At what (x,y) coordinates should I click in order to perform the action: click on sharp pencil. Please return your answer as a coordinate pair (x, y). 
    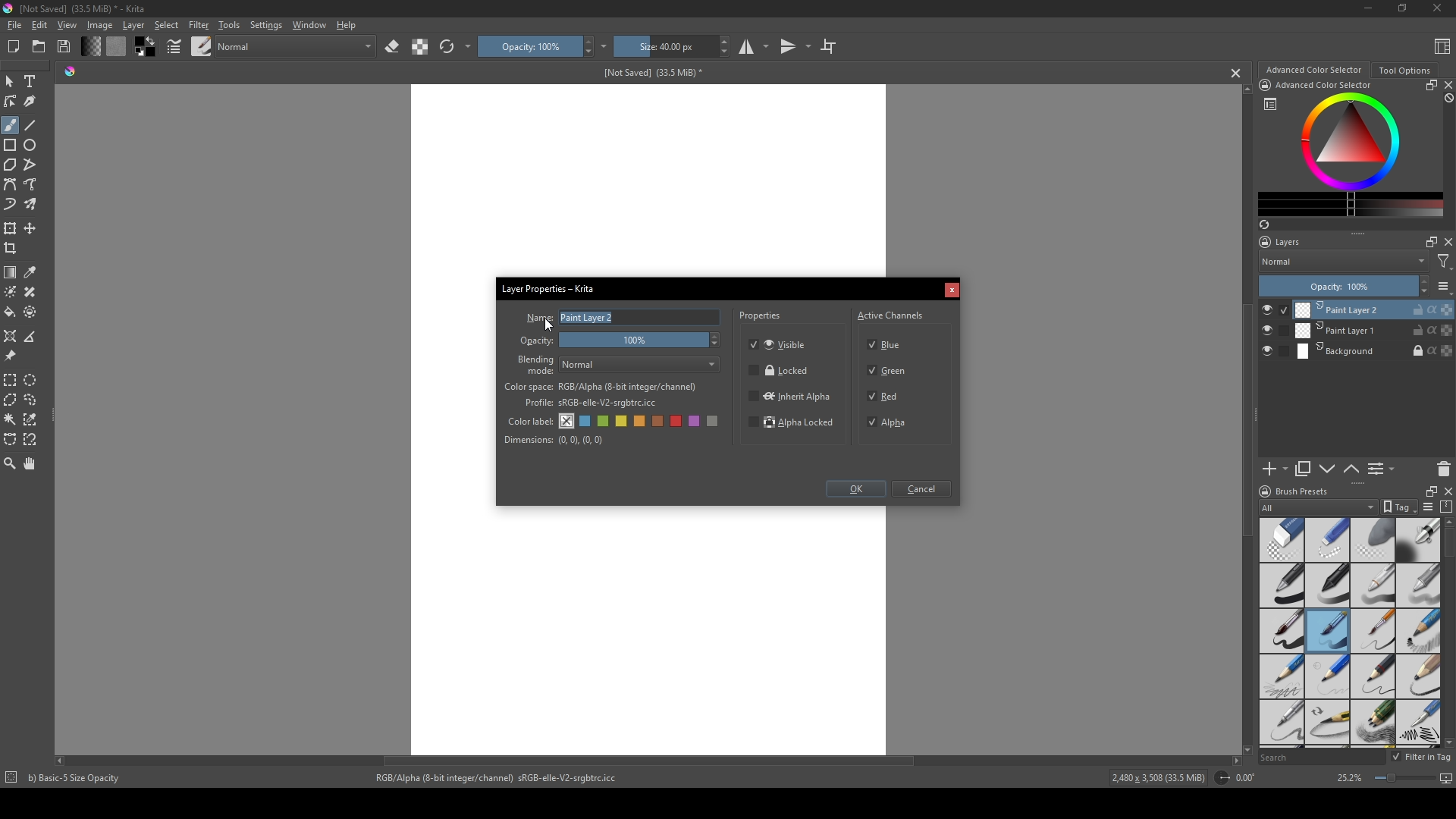
    Looking at the image, I should click on (1281, 723).